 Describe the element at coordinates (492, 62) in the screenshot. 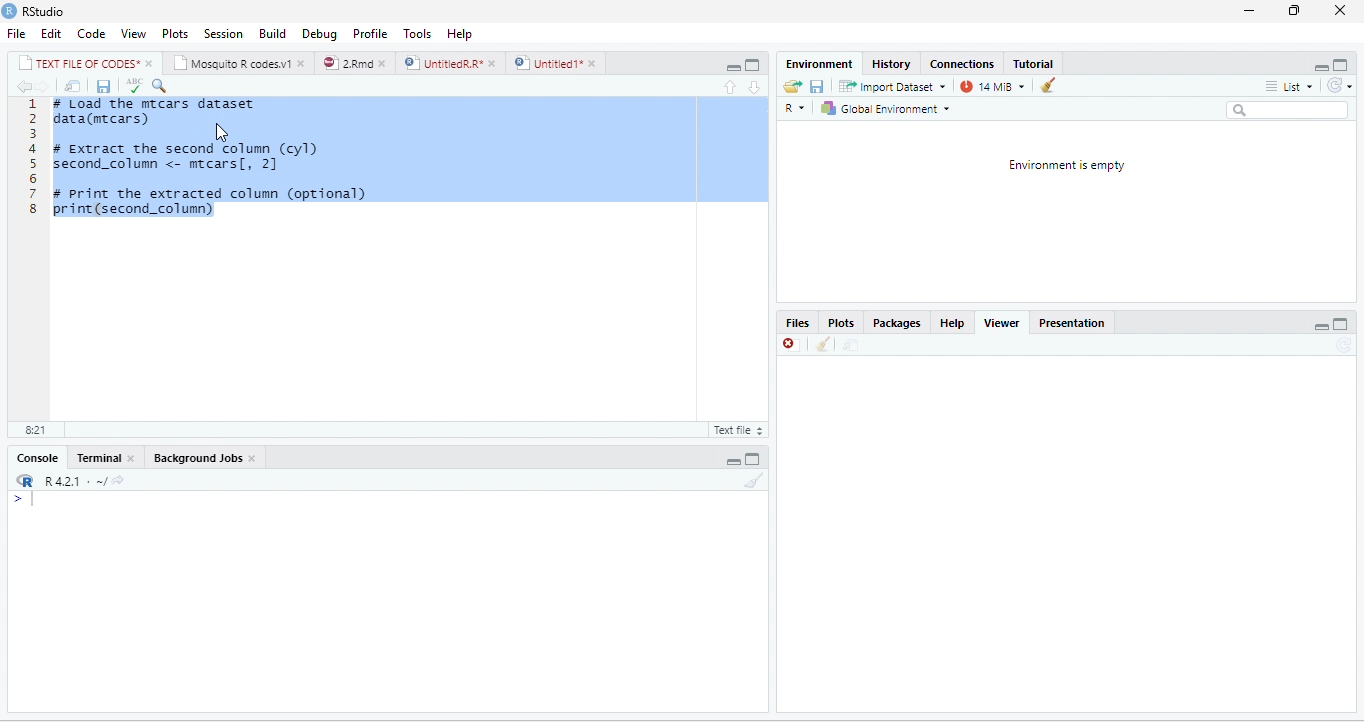

I see `close` at that location.